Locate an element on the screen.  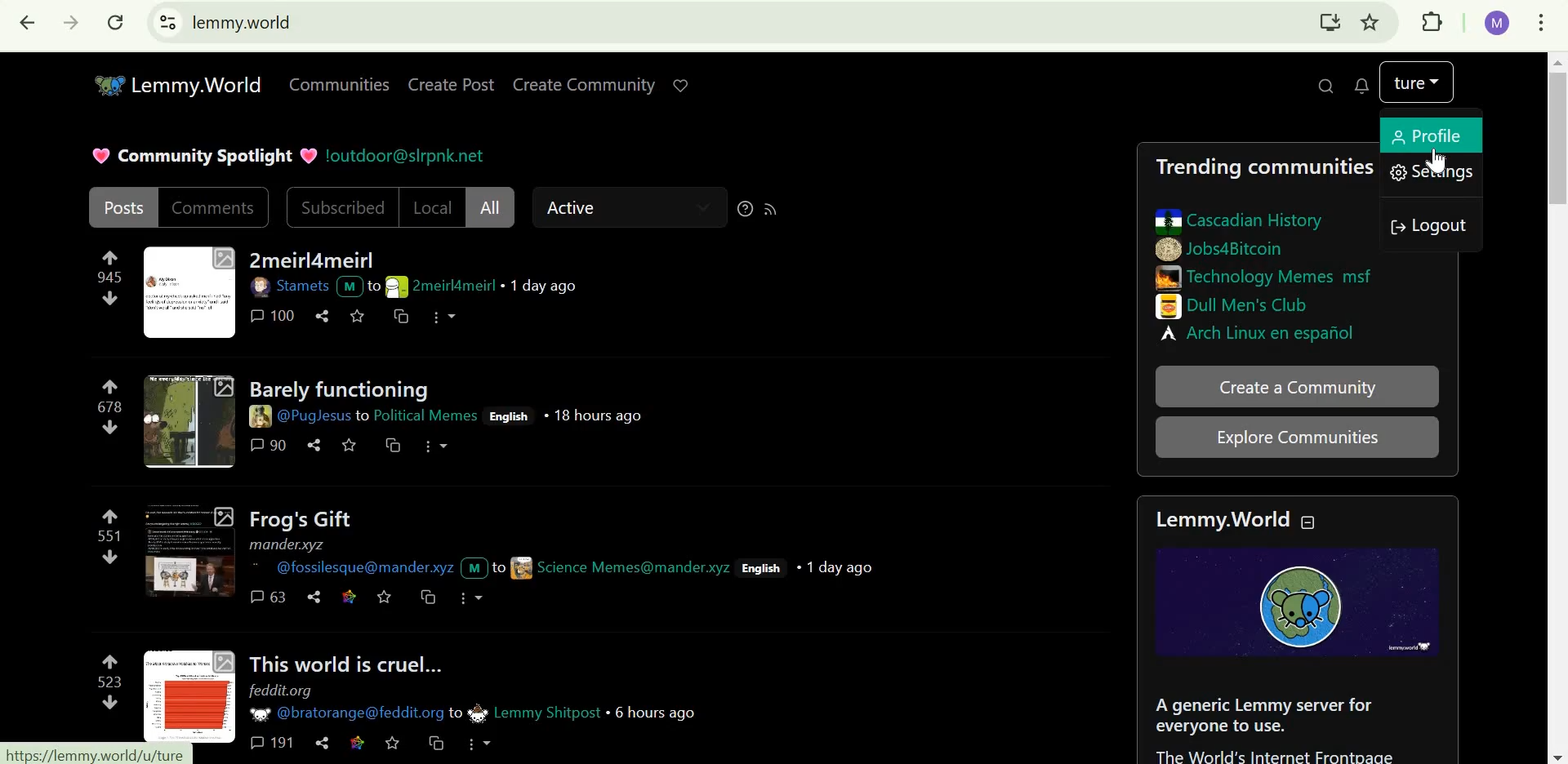
extensions is located at coordinates (1433, 23).